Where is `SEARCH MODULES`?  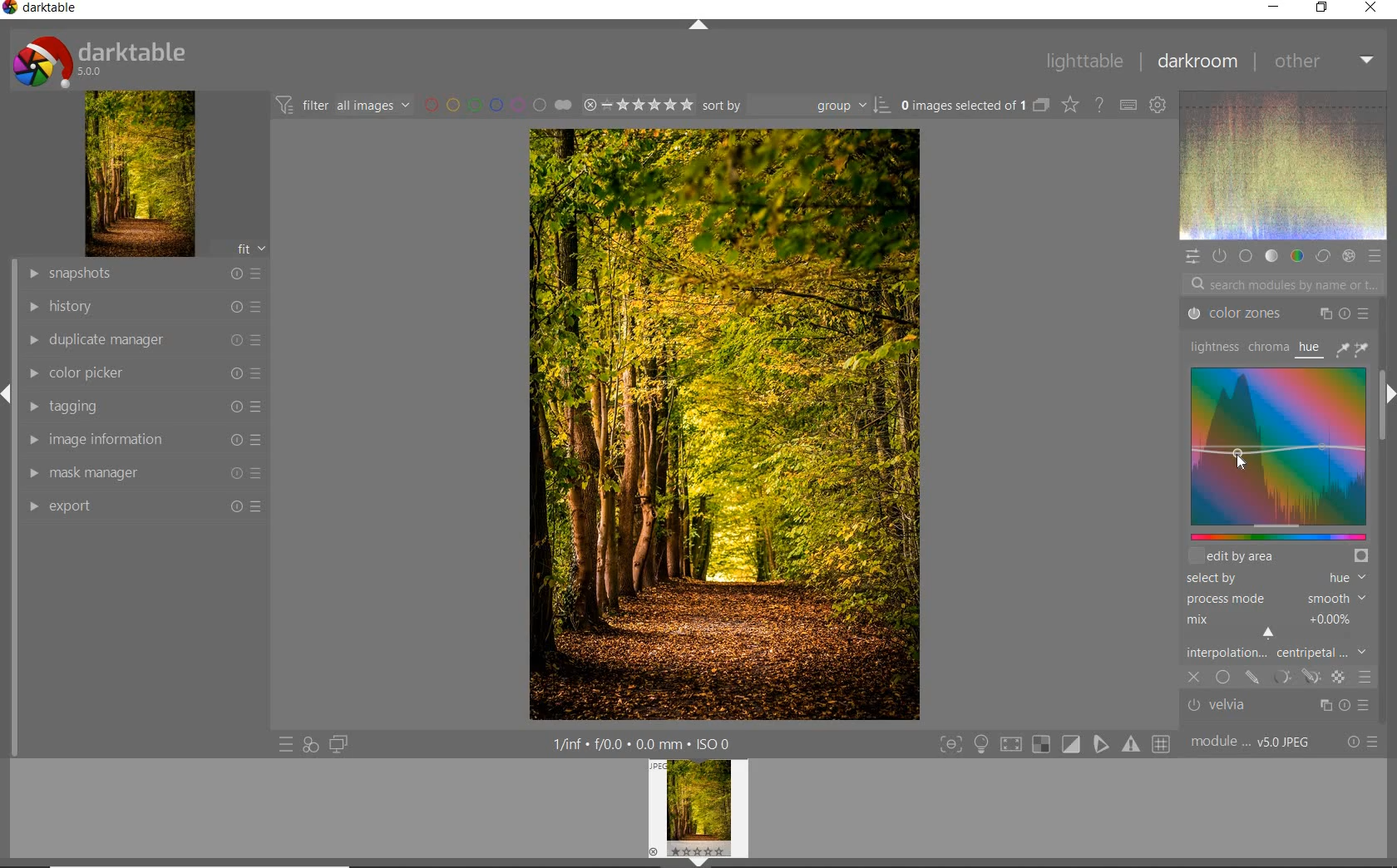 SEARCH MODULES is located at coordinates (1283, 284).